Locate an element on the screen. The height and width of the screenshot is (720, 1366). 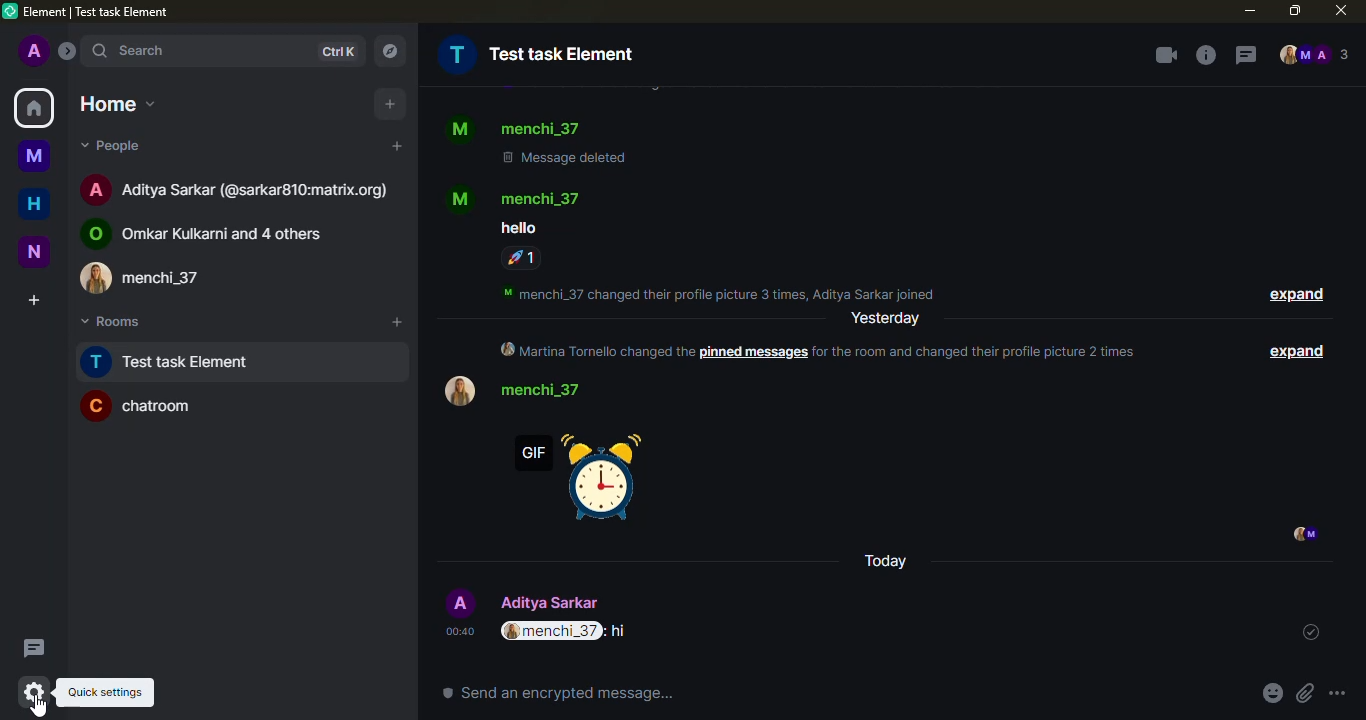
info is located at coordinates (827, 349).